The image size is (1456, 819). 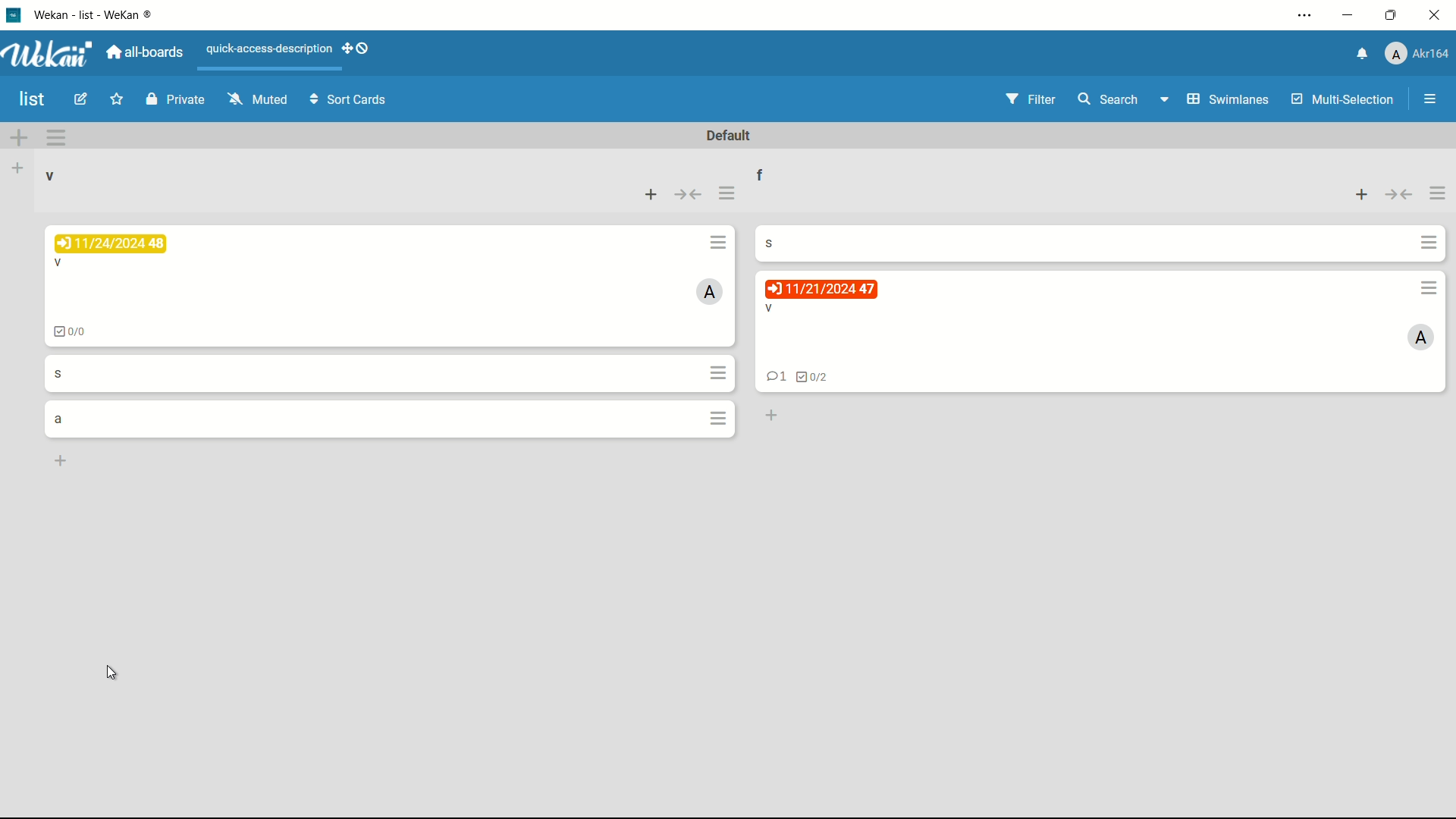 What do you see at coordinates (83, 101) in the screenshot?
I see `edit` at bounding box center [83, 101].